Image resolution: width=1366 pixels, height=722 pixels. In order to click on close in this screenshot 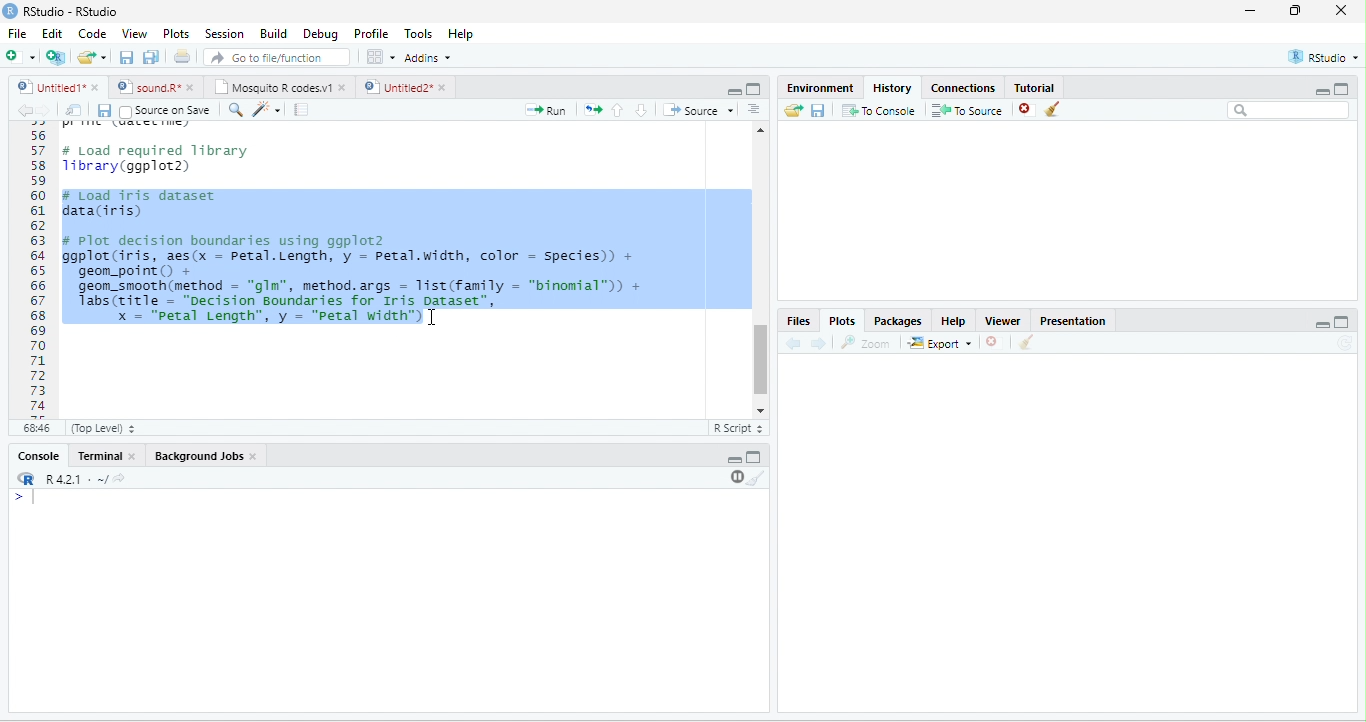, I will do `click(192, 88)`.